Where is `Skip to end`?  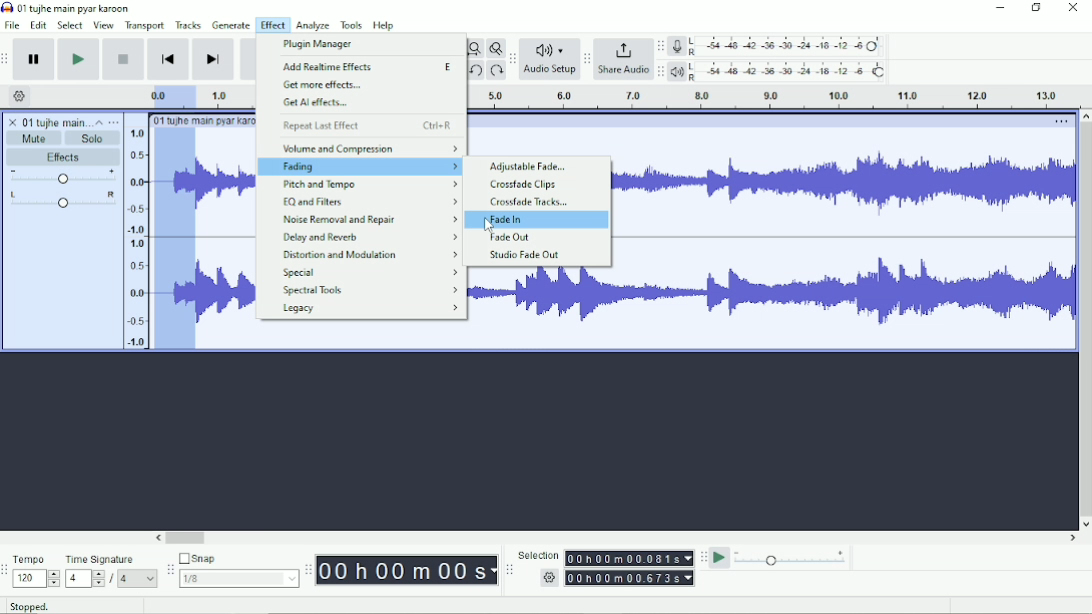 Skip to end is located at coordinates (213, 60).